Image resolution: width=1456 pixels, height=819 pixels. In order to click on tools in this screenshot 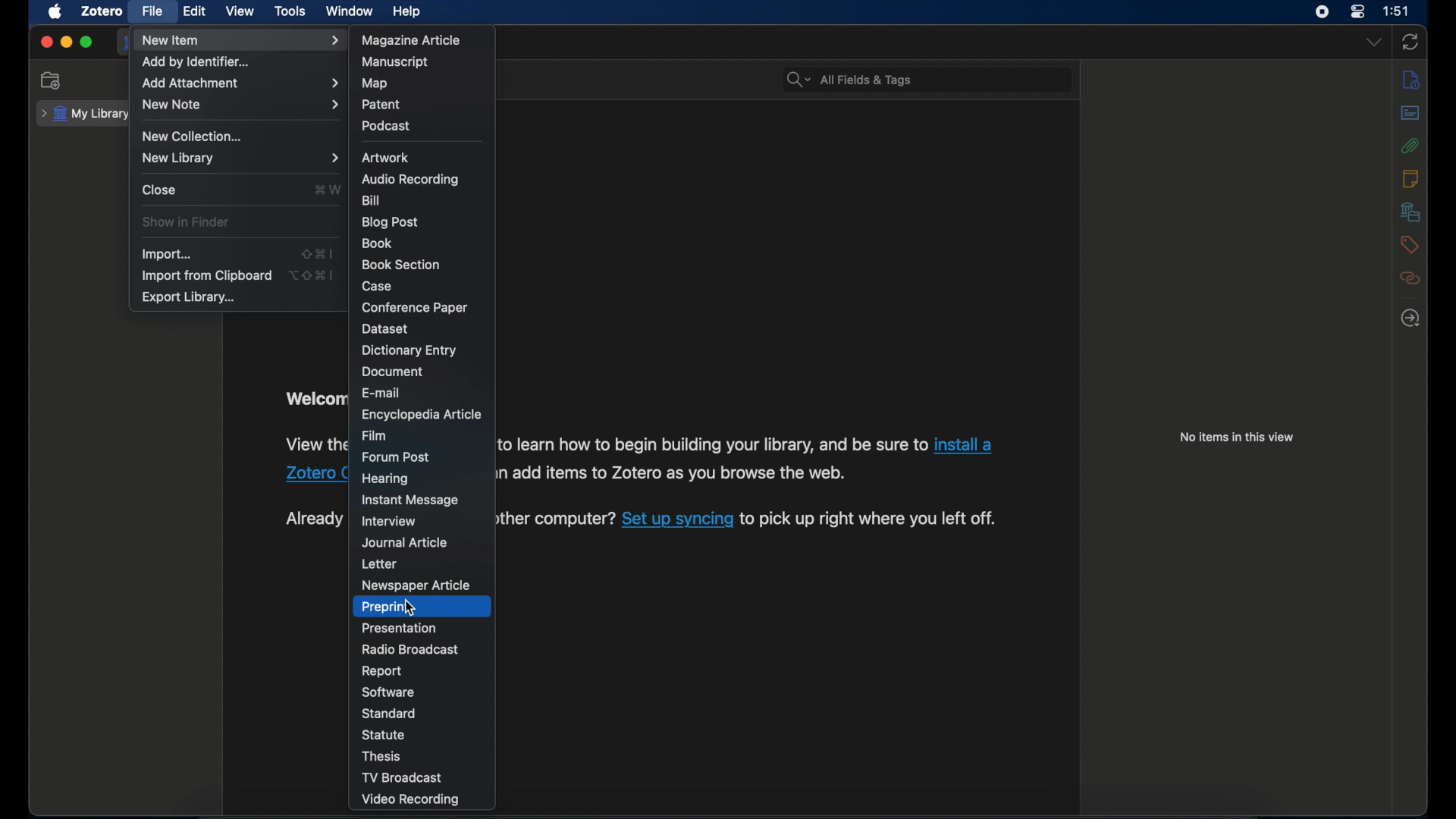, I will do `click(290, 11)`.